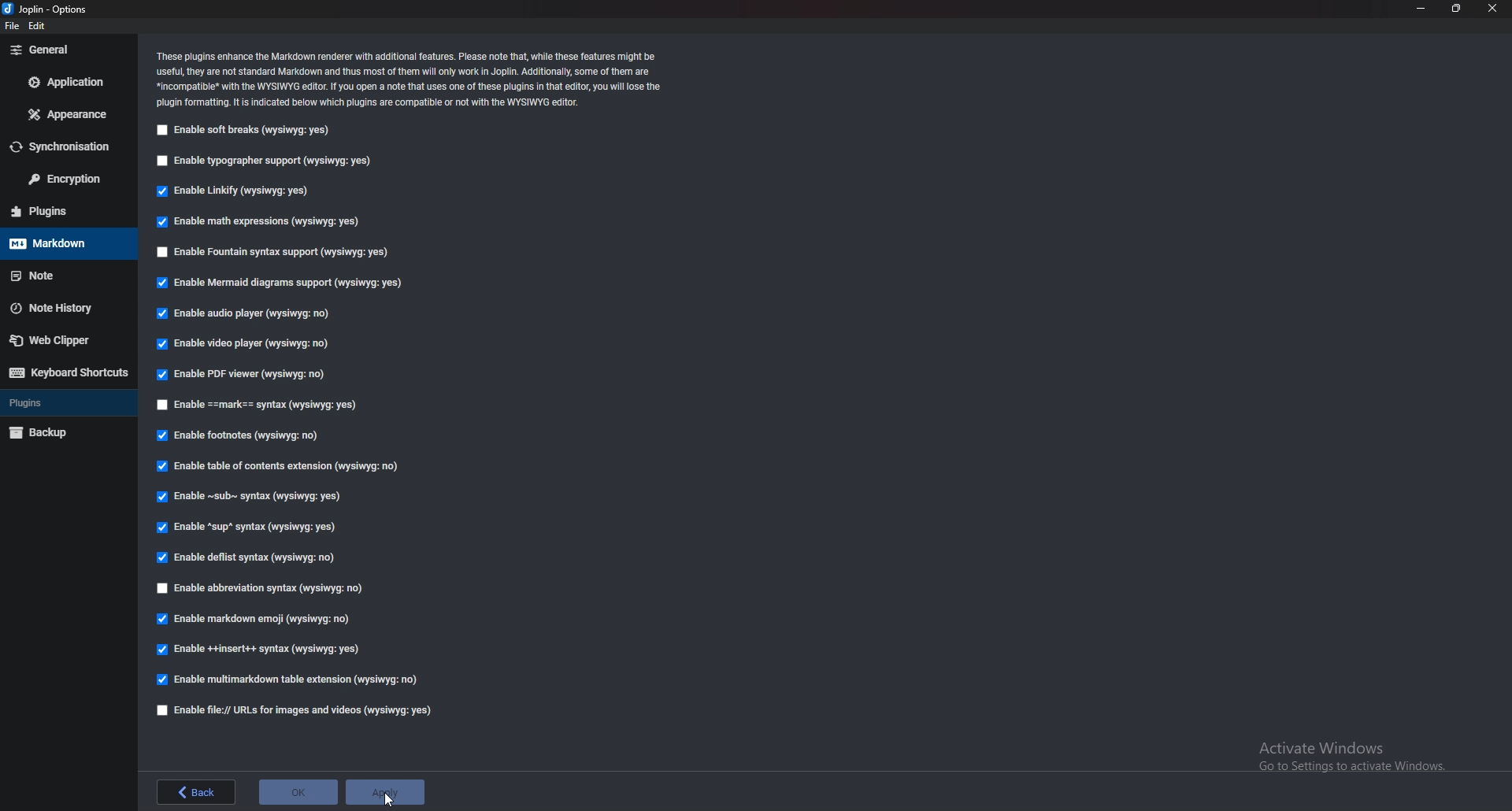 The image size is (1512, 811). Describe the element at coordinates (1493, 8) in the screenshot. I see `close` at that location.